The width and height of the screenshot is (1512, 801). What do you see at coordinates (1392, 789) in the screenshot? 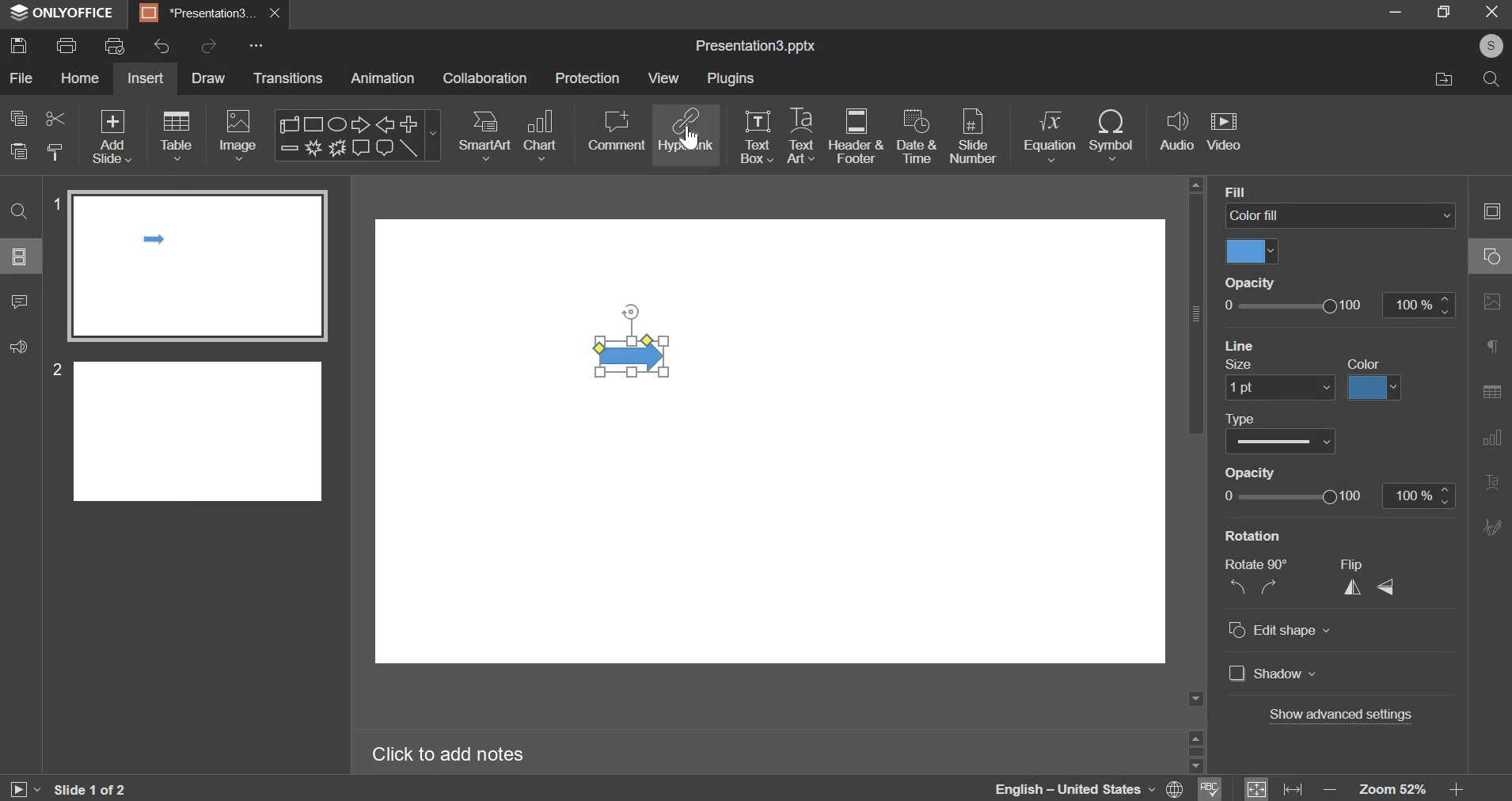
I see `zoom 52%` at bounding box center [1392, 789].